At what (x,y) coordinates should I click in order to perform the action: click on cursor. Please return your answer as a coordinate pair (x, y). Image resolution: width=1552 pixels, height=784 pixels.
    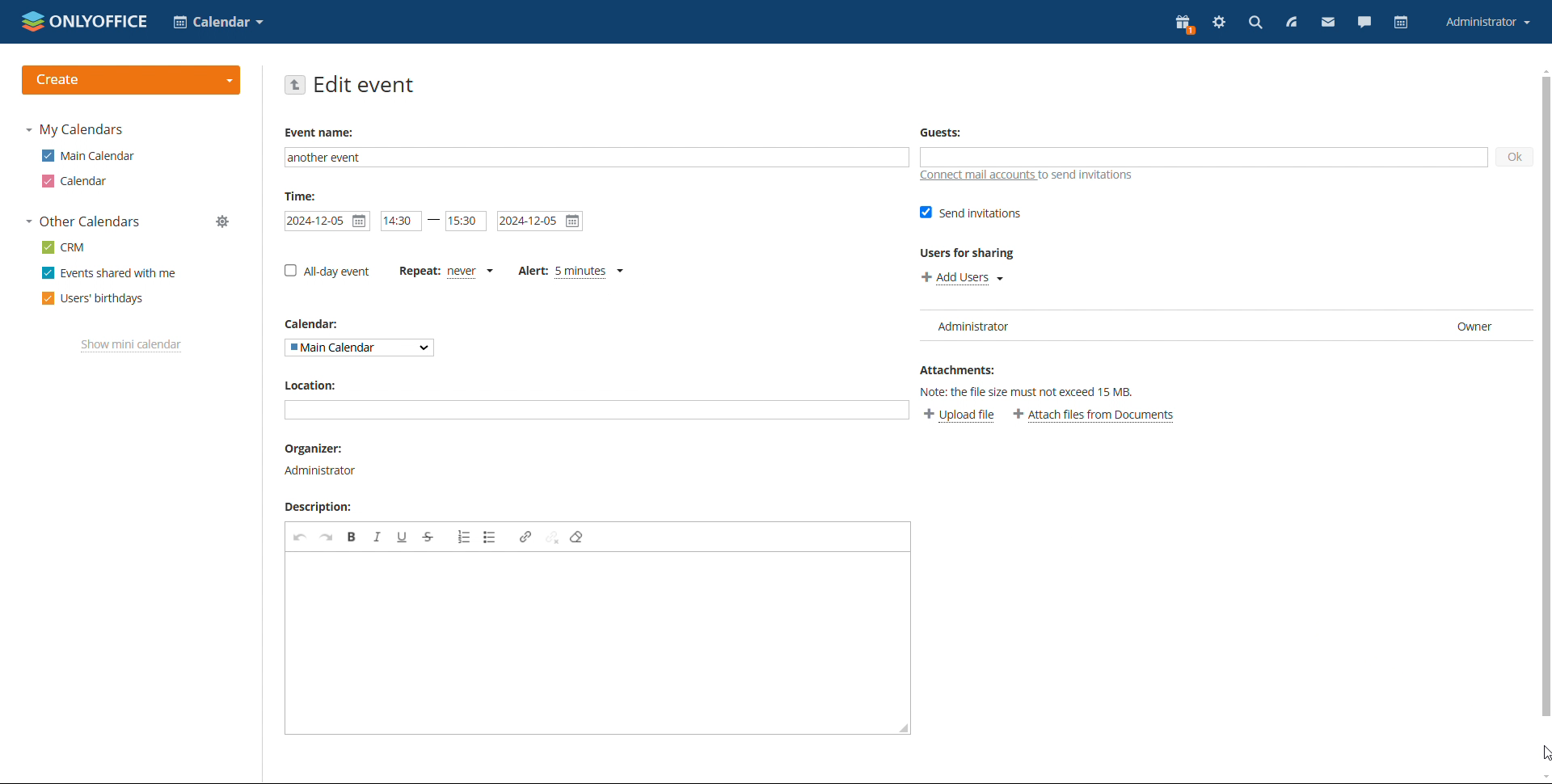
    Looking at the image, I should click on (1542, 754).